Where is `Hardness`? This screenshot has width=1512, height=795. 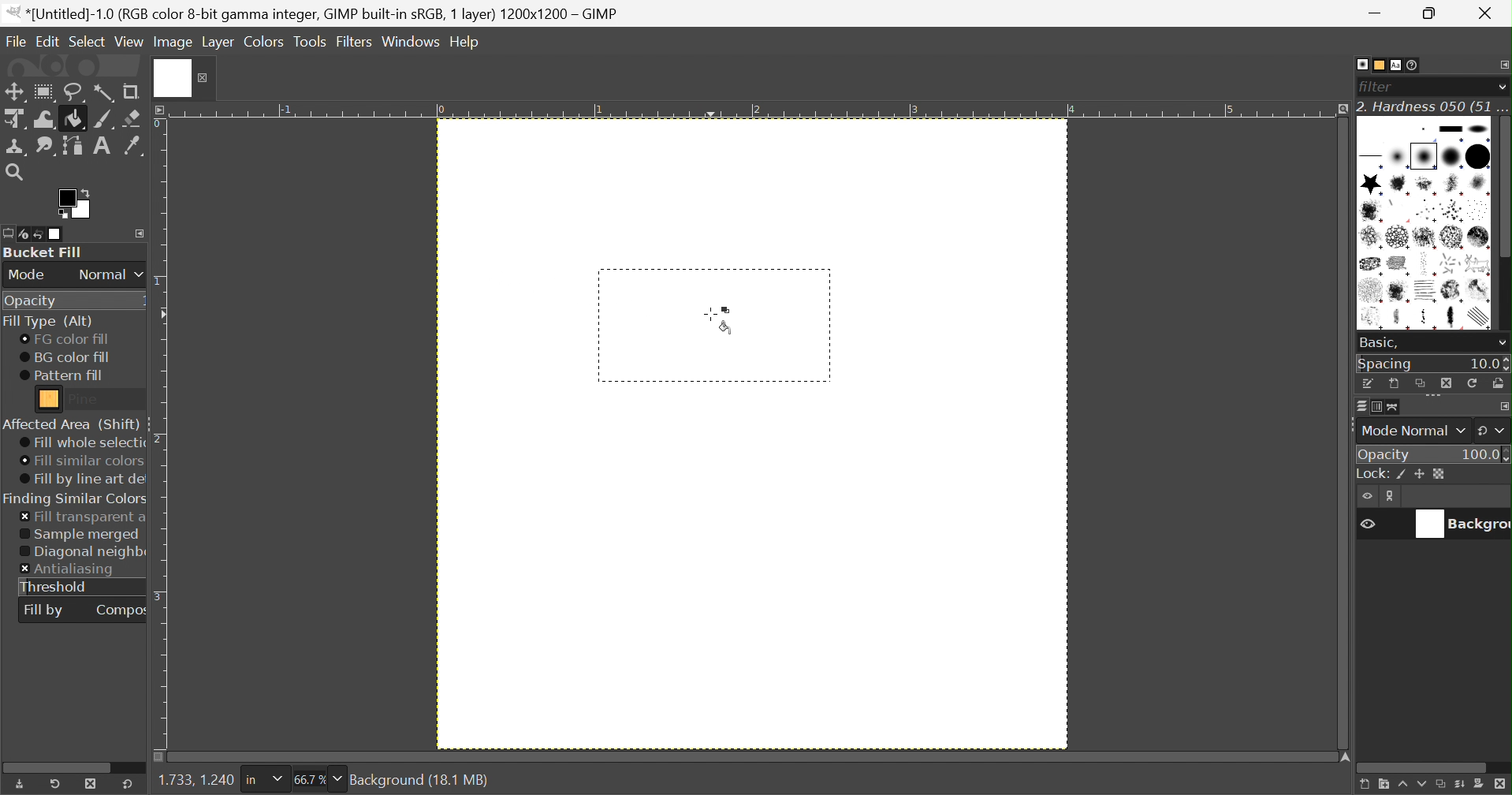
Hardness is located at coordinates (1424, 156).